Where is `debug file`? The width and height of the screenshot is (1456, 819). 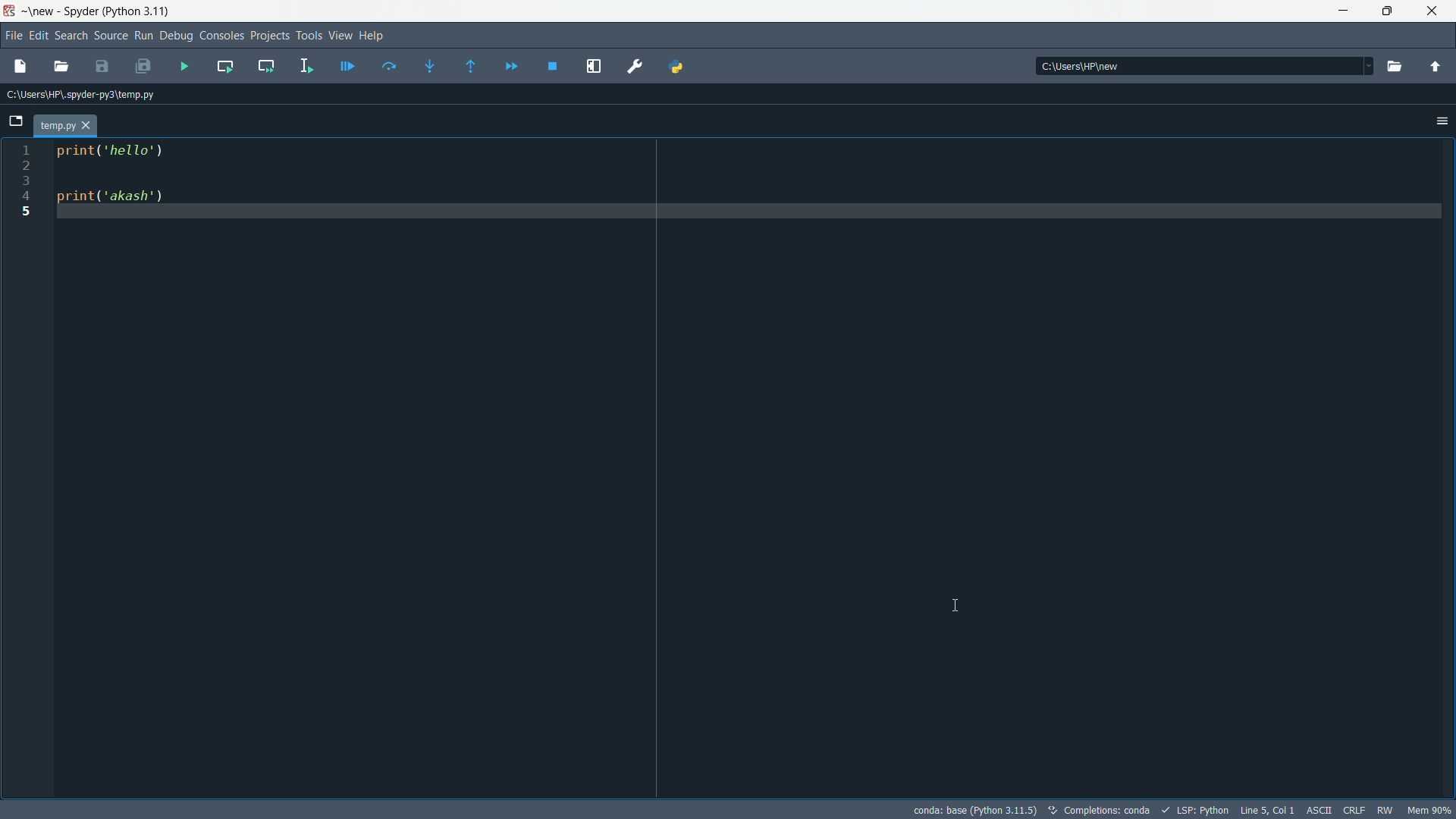
debug file is located at coordinates (348, 66).